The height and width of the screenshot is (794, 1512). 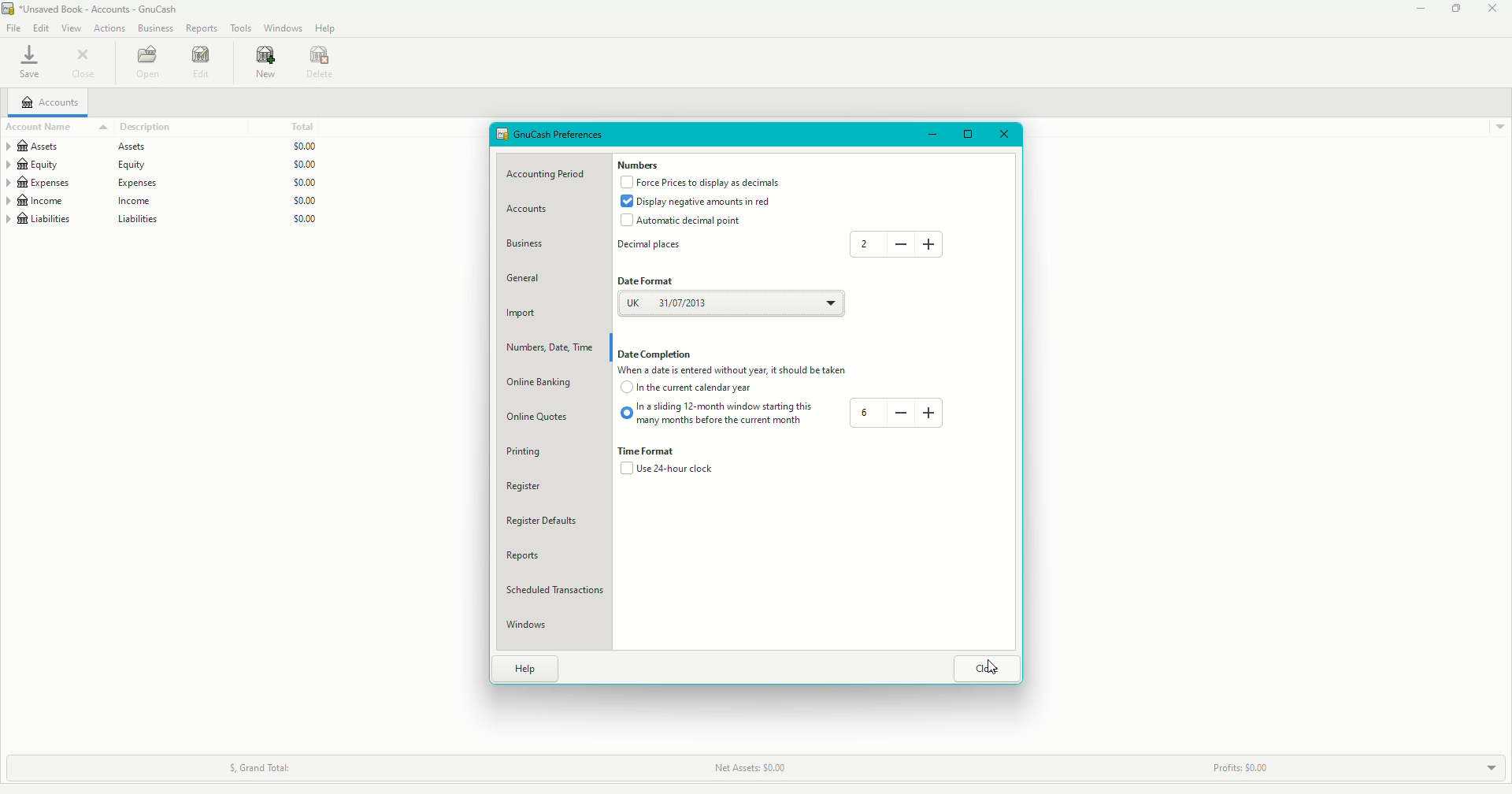 What do you see at coordinates (109, 28) in the screenshot?
I see `Actions` at bounding box center [109, 28].